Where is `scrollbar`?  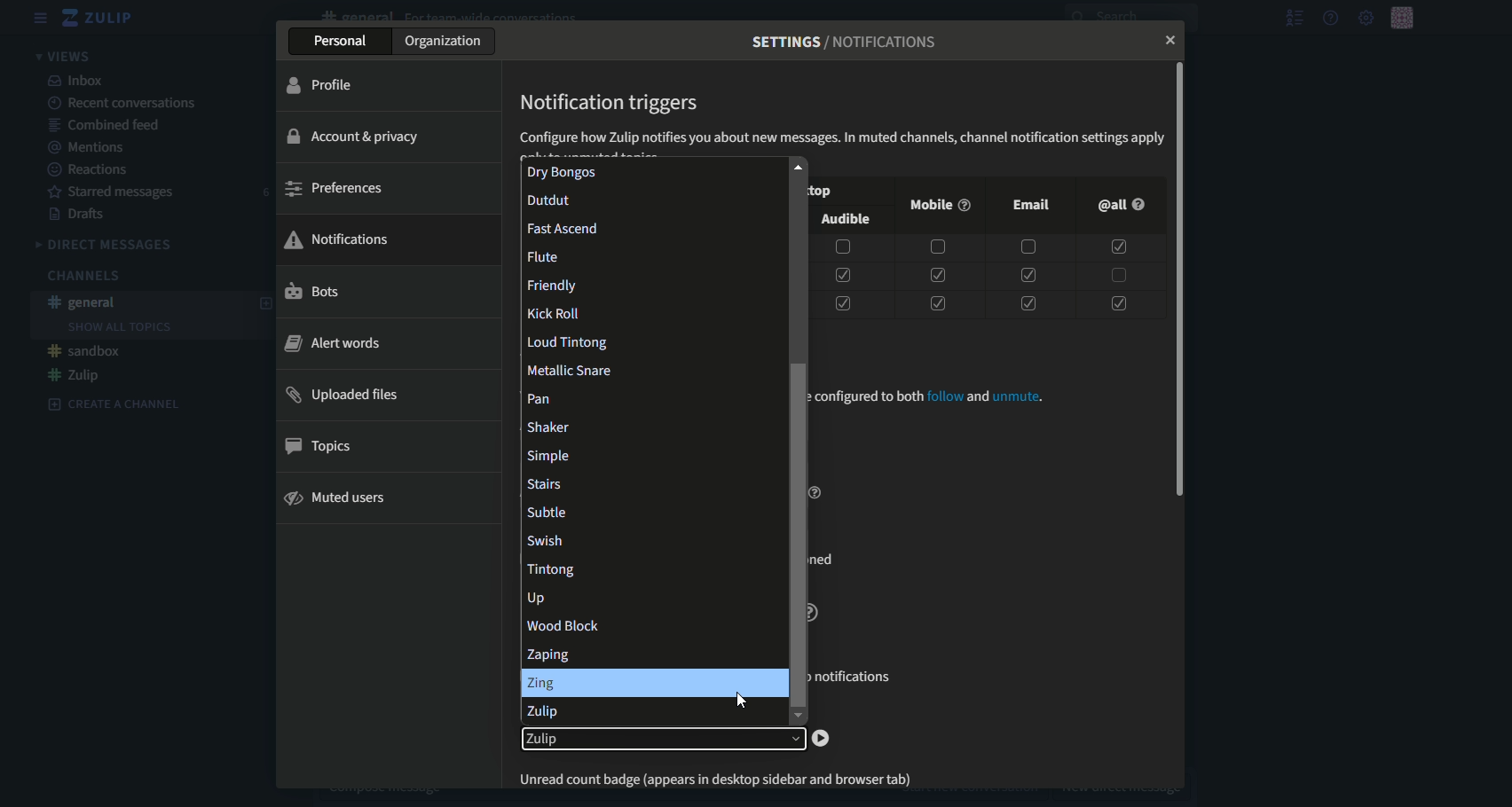 scrollbar is located at coordinates (798, 535).